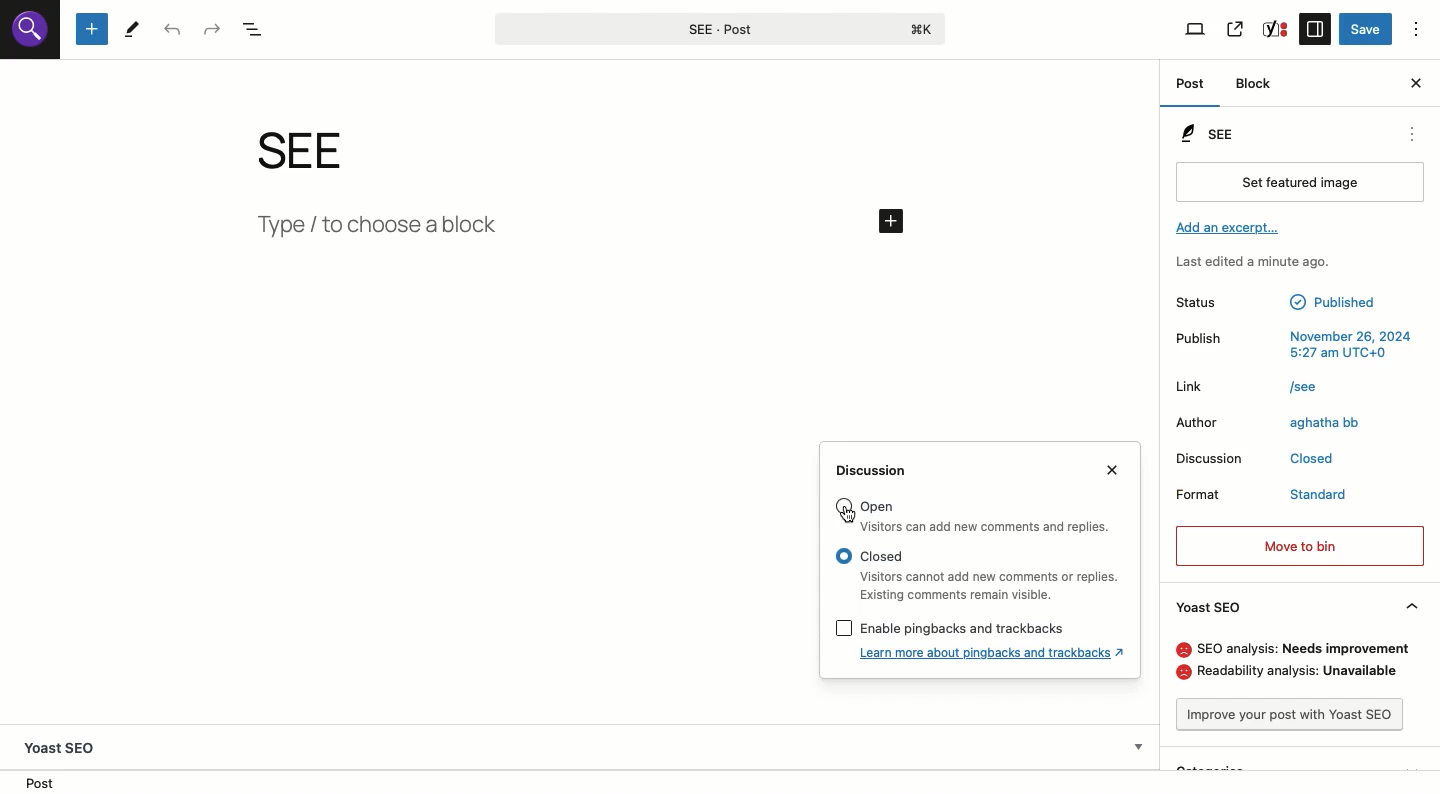  I want to click on Improve post with Yoast, so click(1286, 713).